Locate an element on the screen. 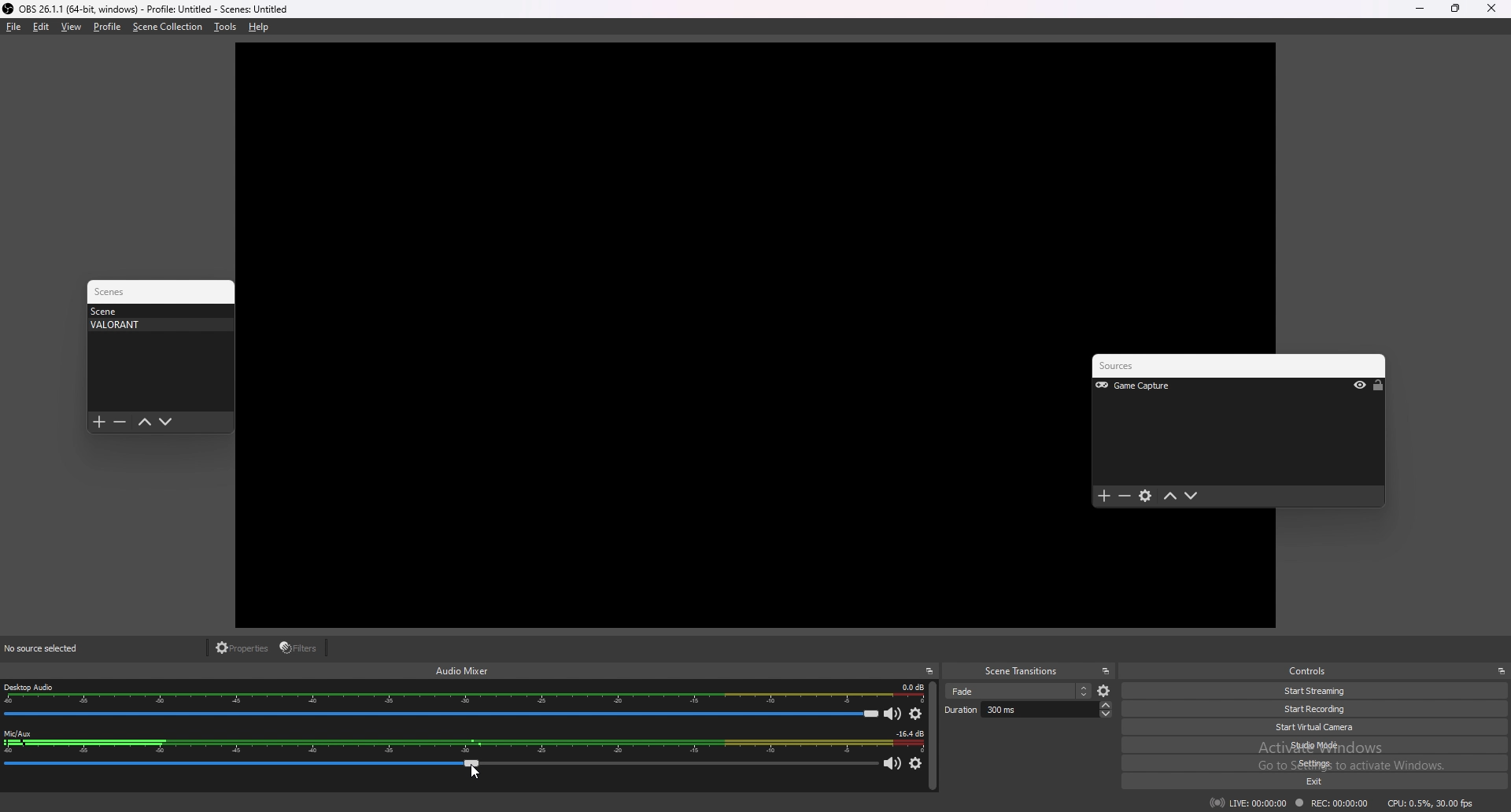 The image size is (1511, 812). file is located at coordinates (14, 27).